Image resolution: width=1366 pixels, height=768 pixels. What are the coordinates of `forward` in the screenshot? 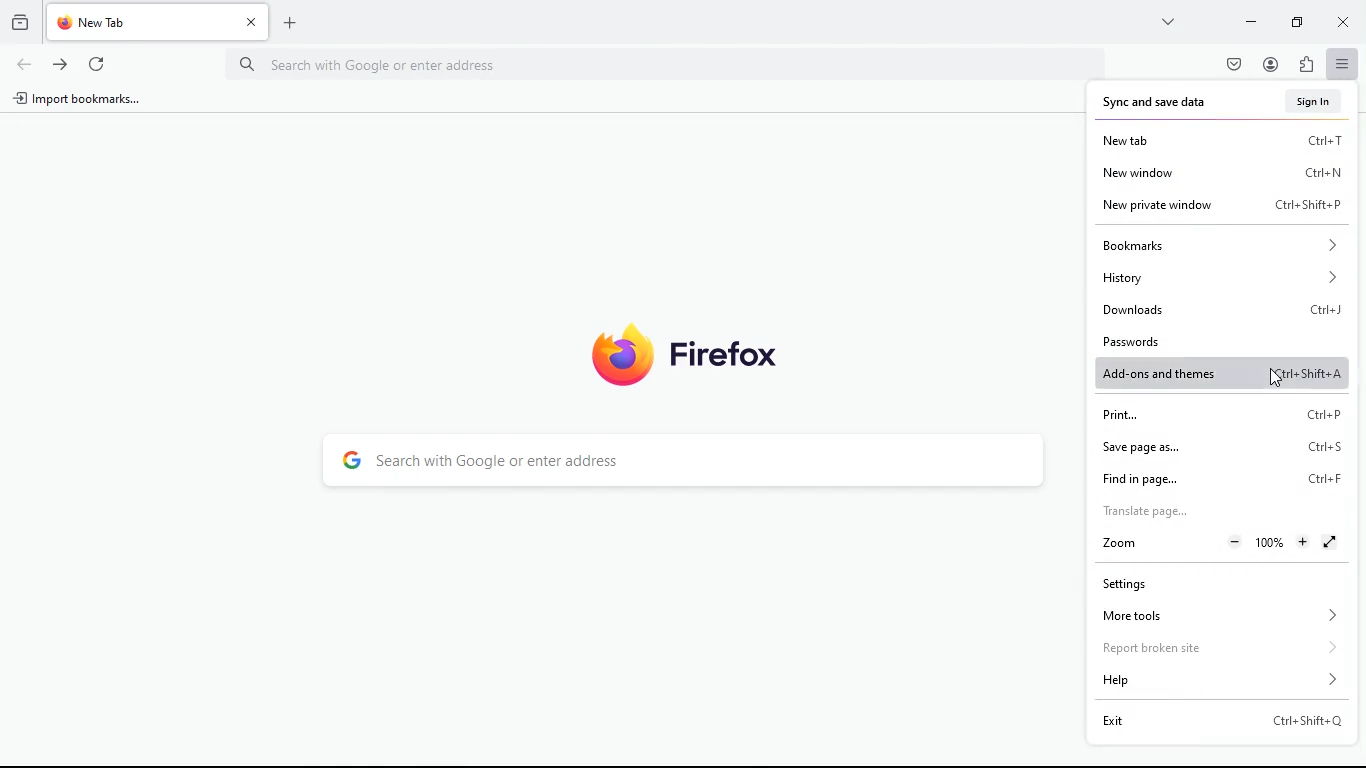 It's located at (59, 63).